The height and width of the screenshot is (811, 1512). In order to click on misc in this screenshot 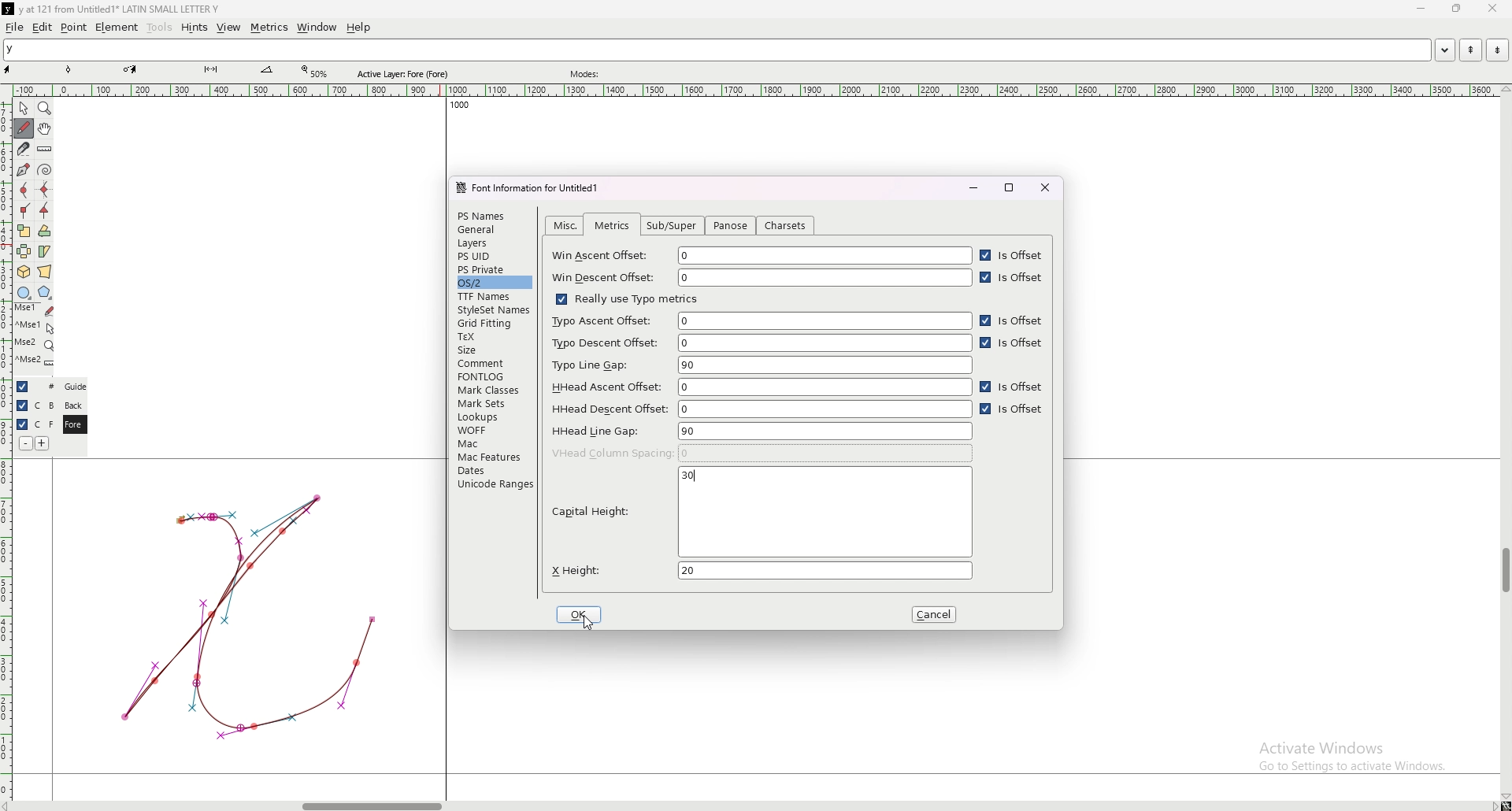, I will do `click(566, 225)`.